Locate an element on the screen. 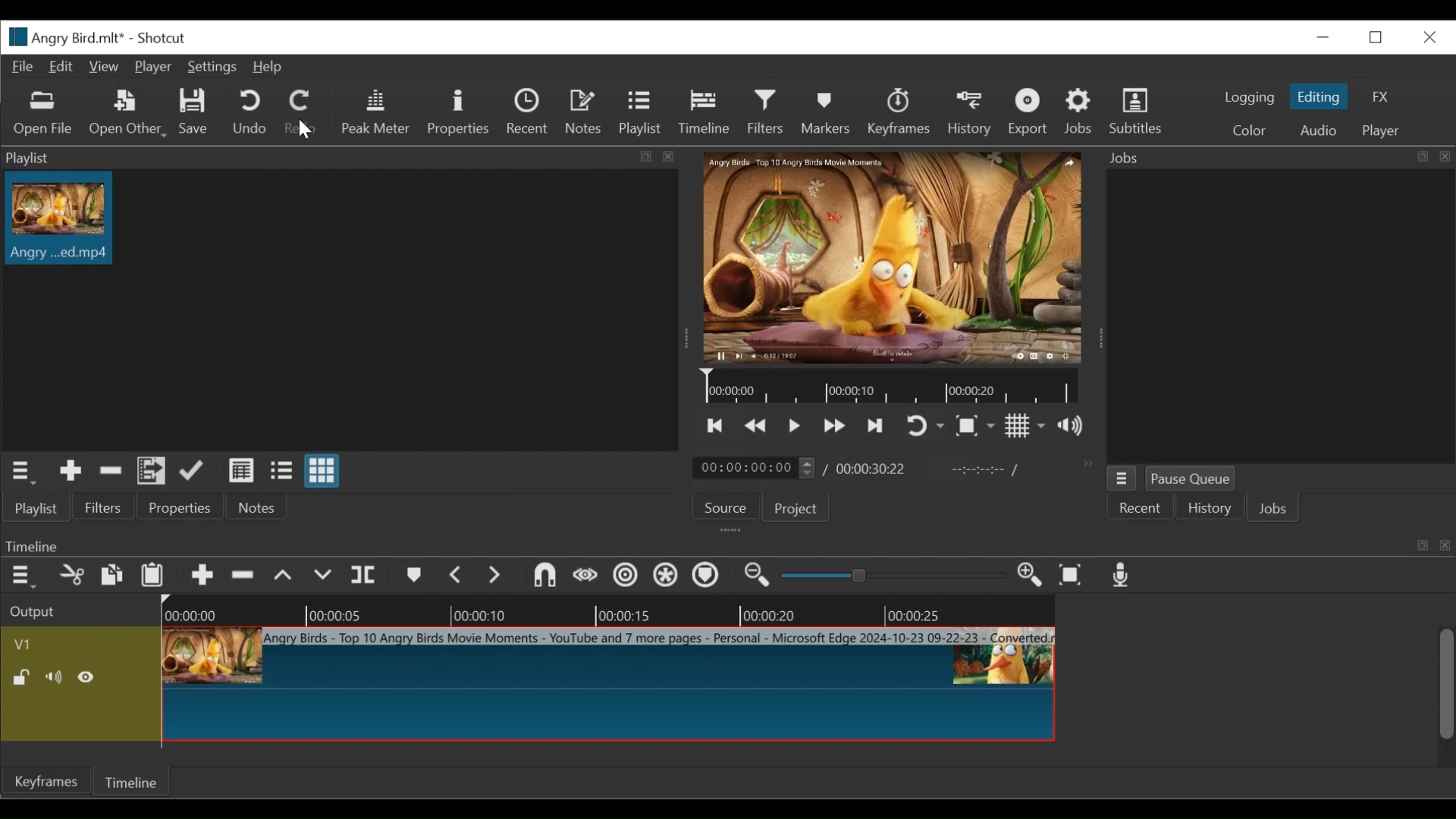 The image size is (1456, 819). Shotcut is located at coordinates (157, 39).